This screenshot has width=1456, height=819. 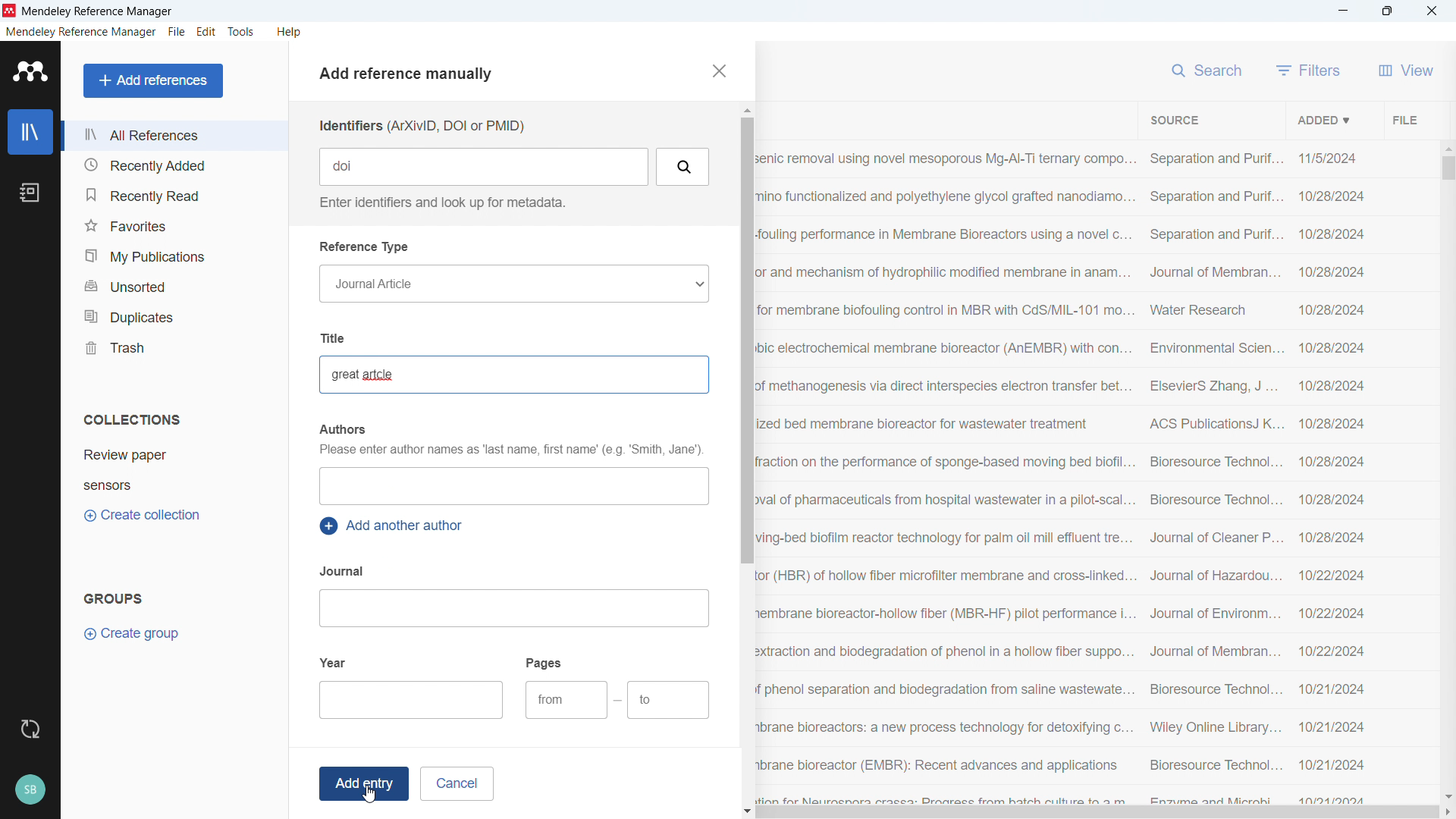 I want to click on Add journal name , so click(x=513, y=608).